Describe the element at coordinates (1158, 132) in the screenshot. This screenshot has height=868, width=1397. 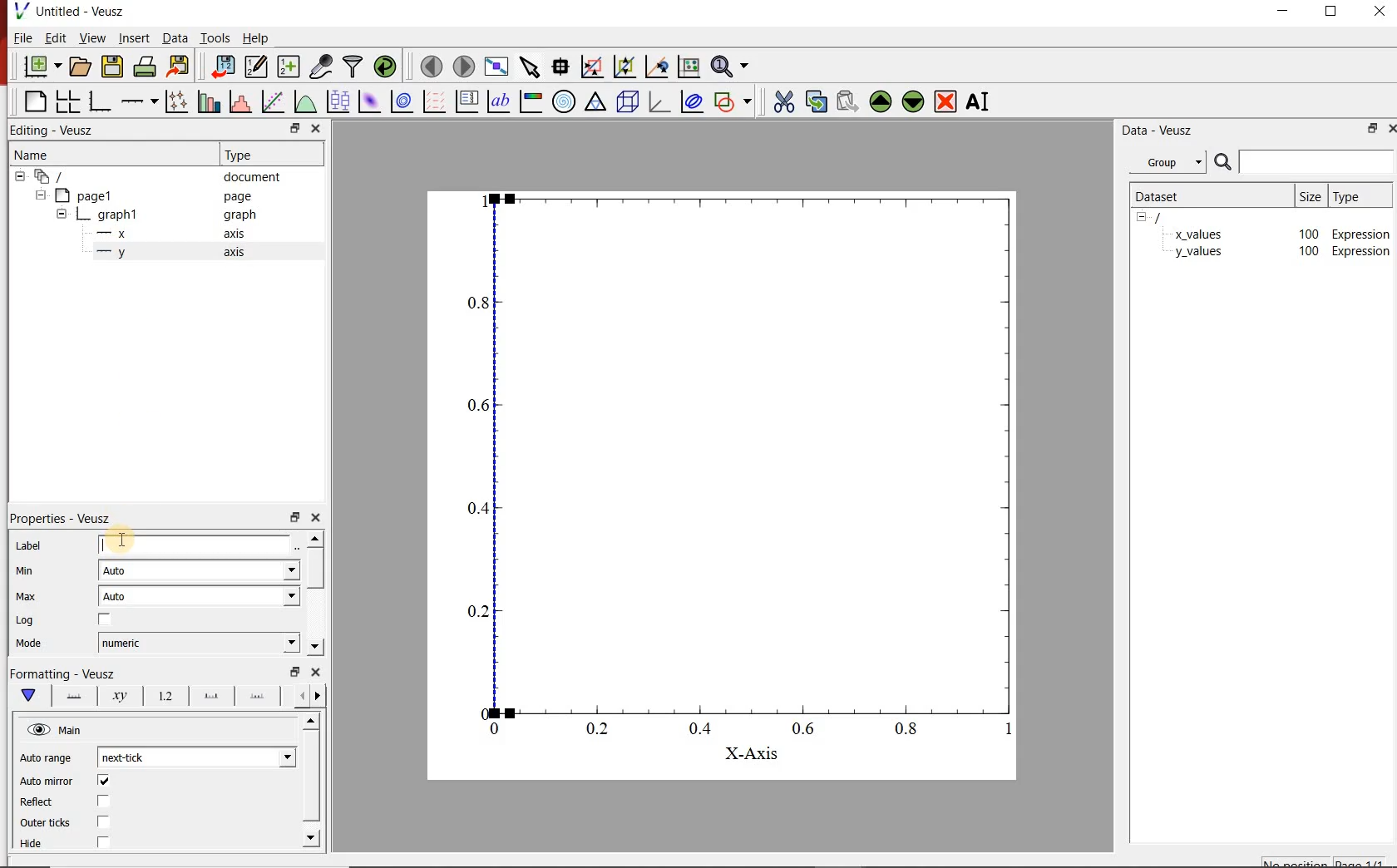
I see `data-veusz` at that location.